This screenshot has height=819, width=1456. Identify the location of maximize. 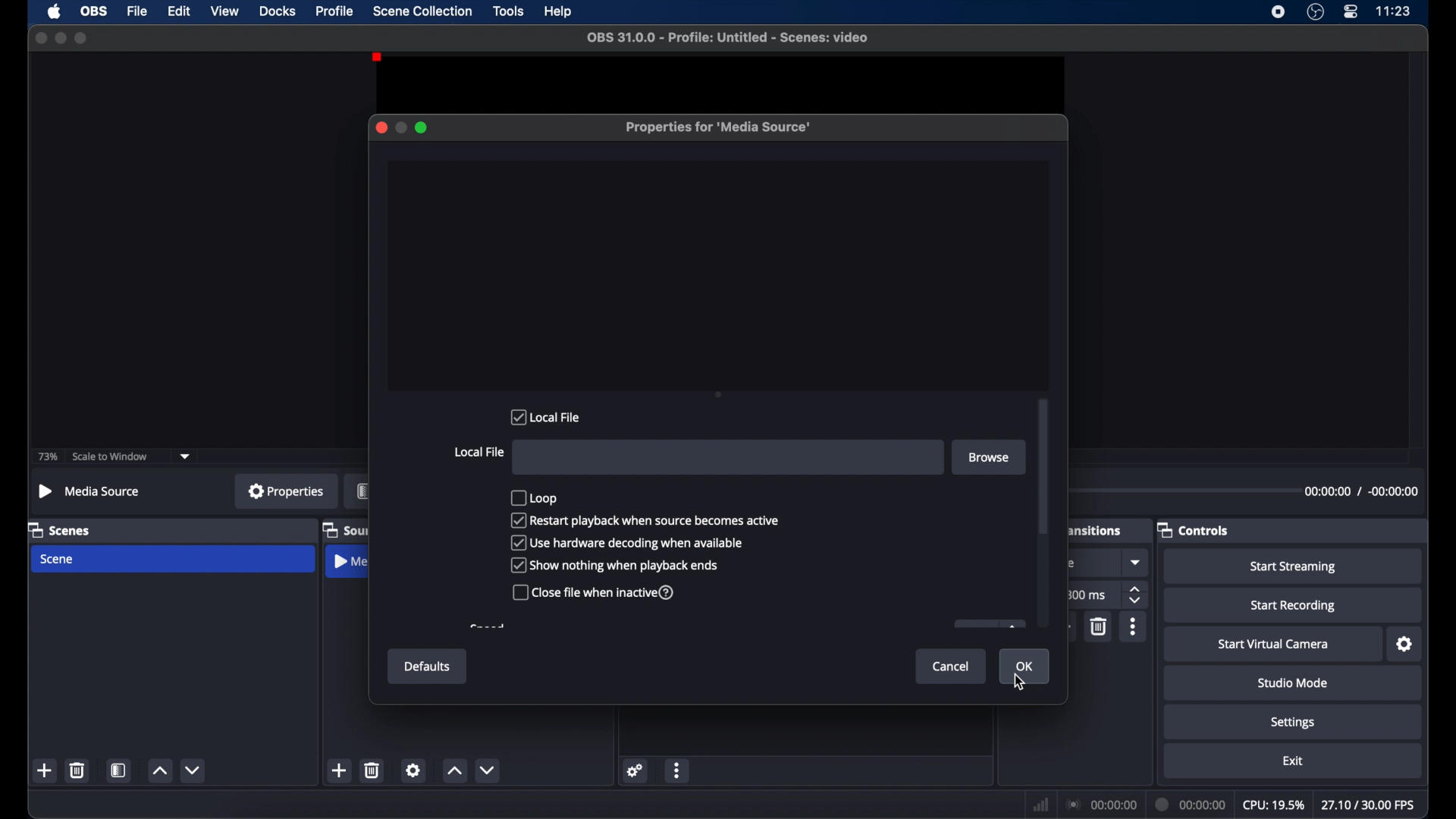
(82, 38).